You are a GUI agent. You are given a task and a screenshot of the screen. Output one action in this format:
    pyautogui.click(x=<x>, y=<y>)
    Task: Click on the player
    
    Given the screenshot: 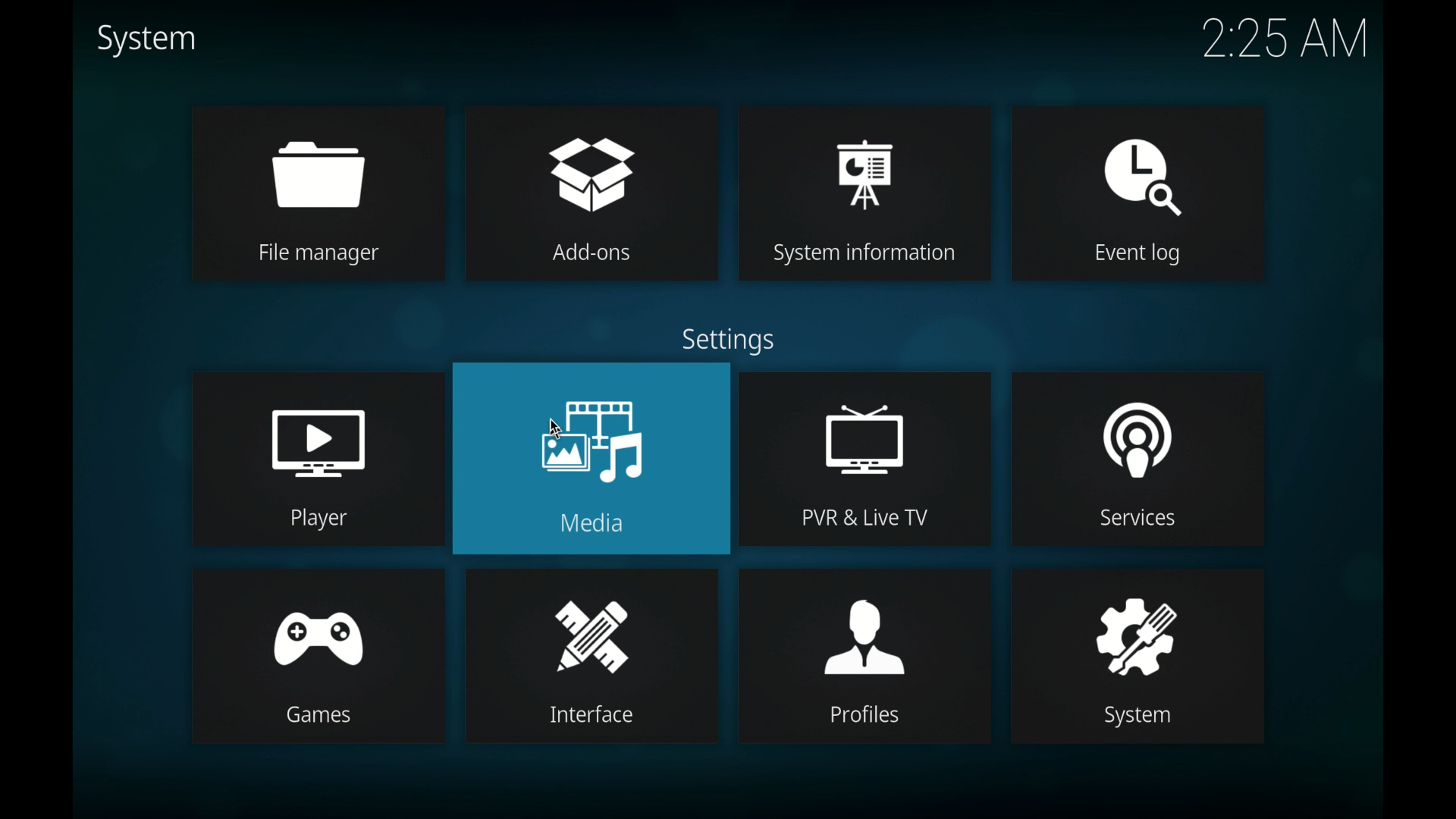 What is the action you would take?
    pyautogui.click(x=318, y=433)
    